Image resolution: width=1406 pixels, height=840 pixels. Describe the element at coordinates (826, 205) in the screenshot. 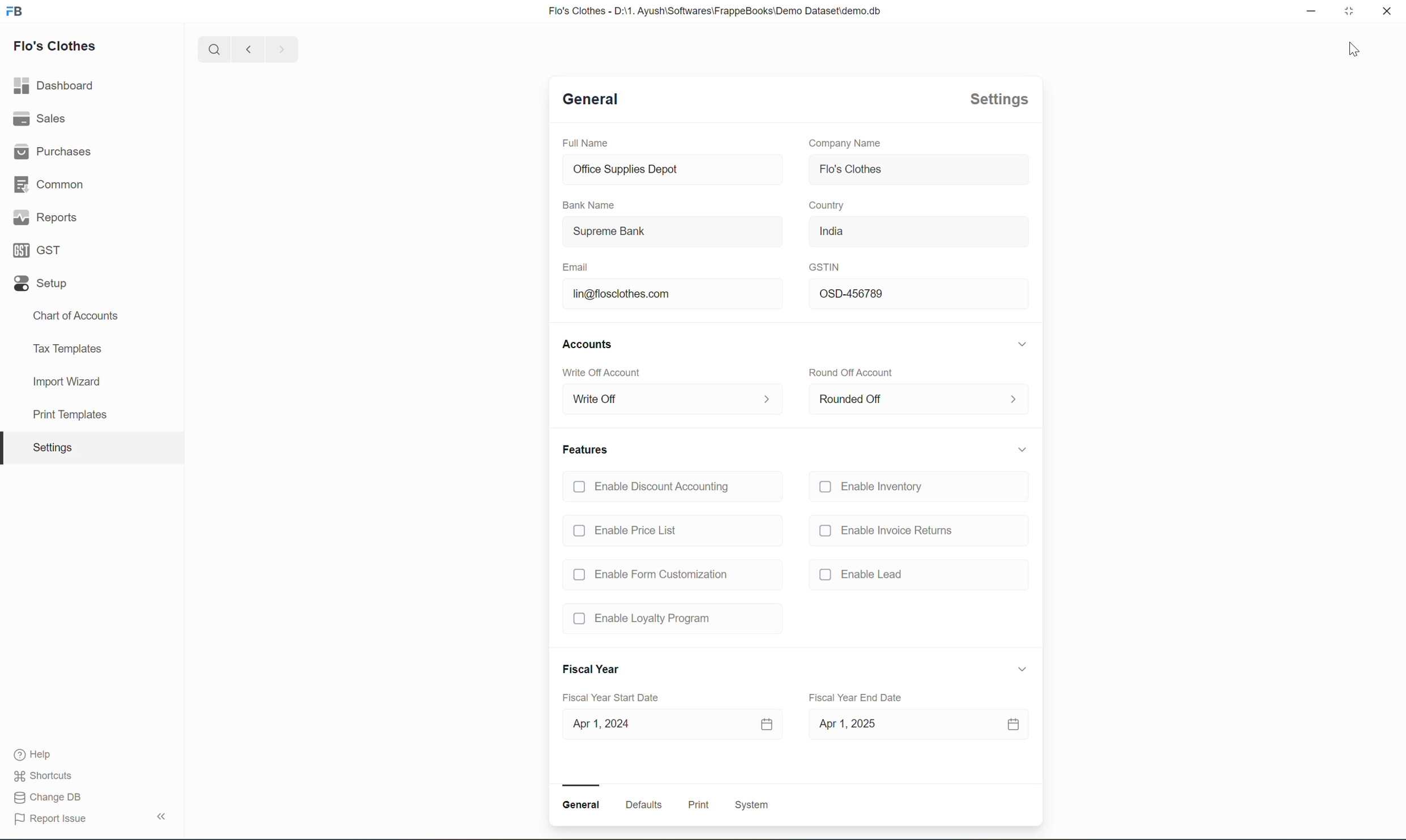

I see `Country` at that location.